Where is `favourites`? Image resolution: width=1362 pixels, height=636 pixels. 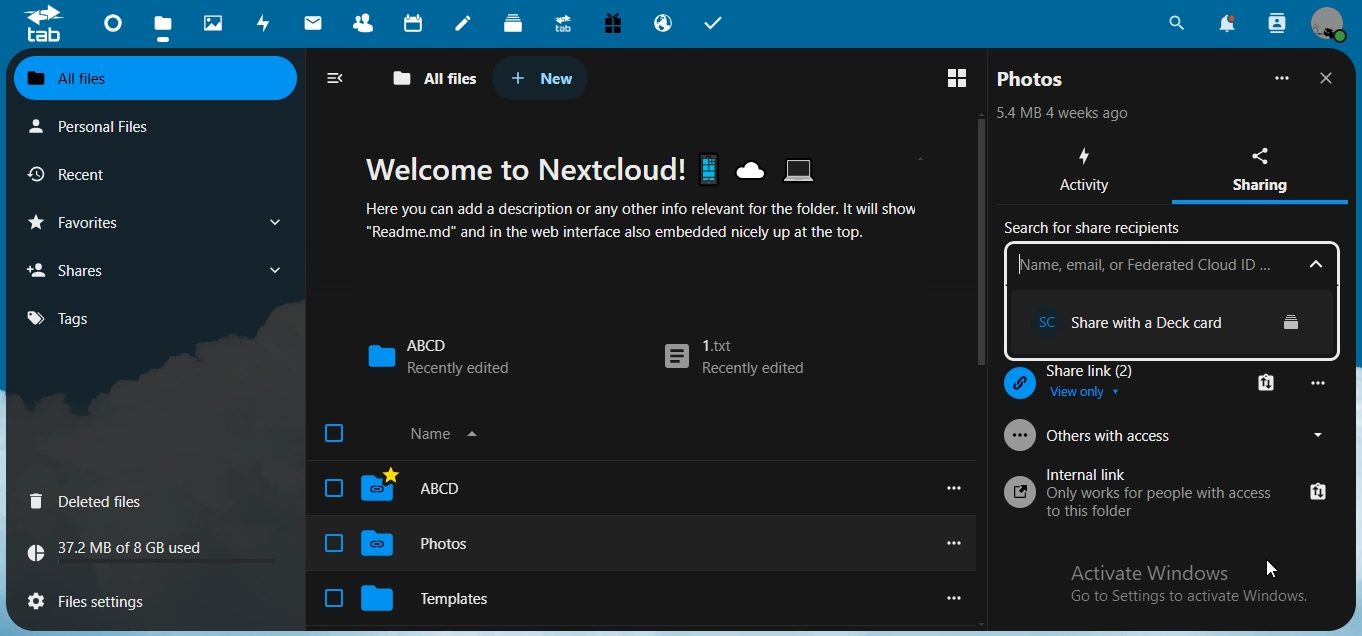 favourites is located at coordinates (152, 222).